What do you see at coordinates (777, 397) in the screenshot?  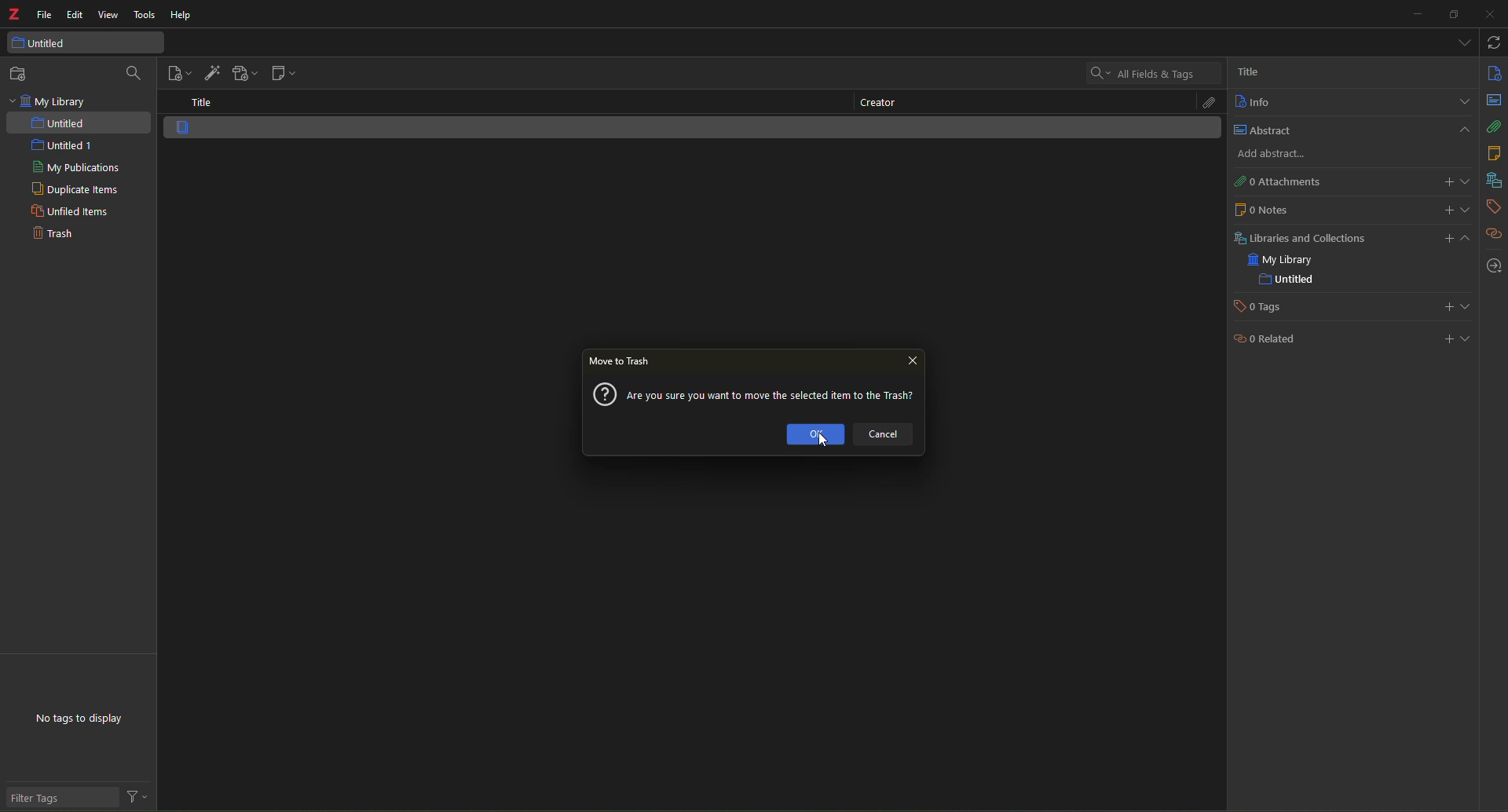 I see `message` at bounding box center [777, 397].